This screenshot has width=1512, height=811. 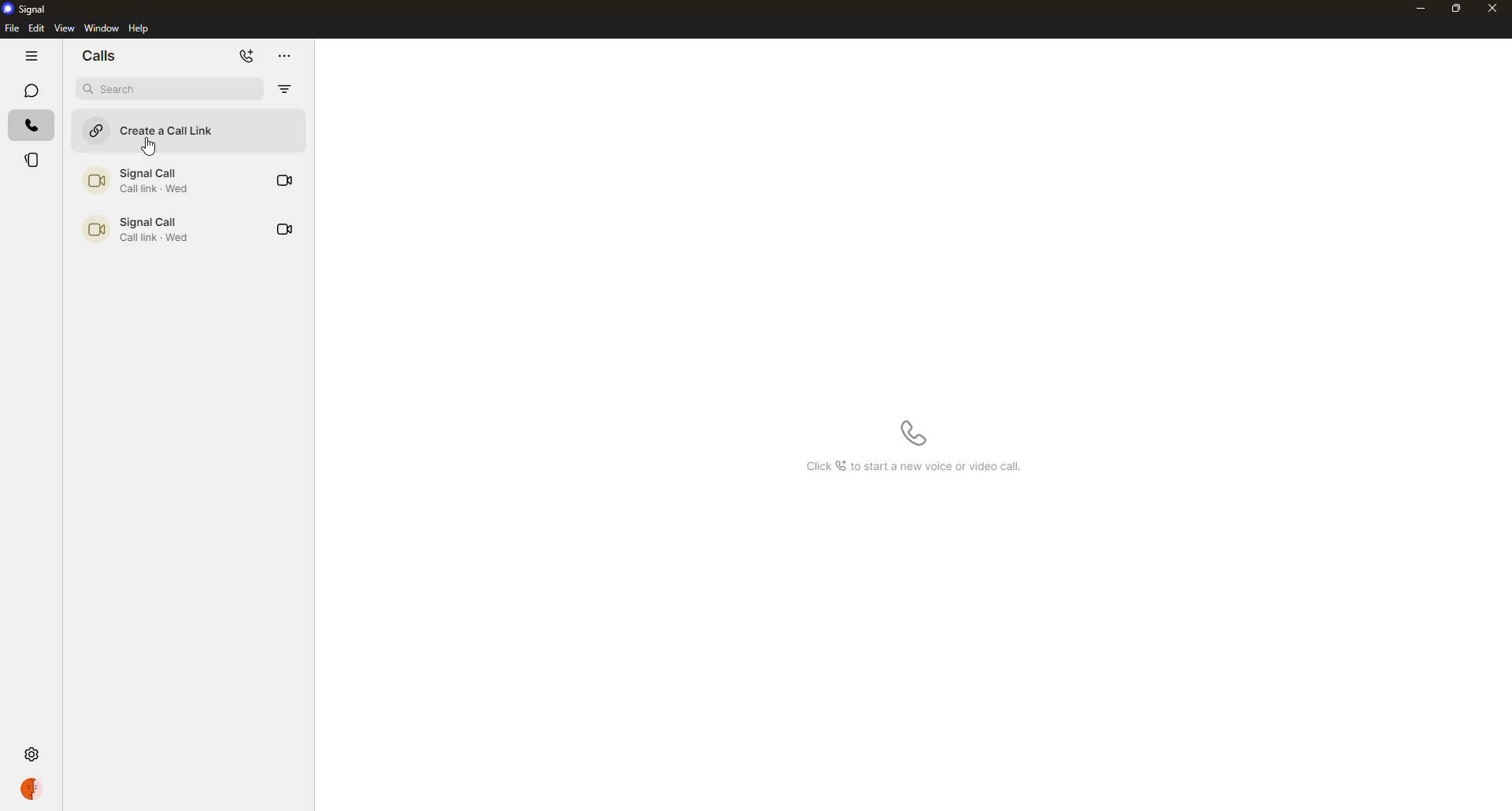 What do you see at coordinates (65, 28) in the screenshot?
I see `view` at bounding box center [65, 28].